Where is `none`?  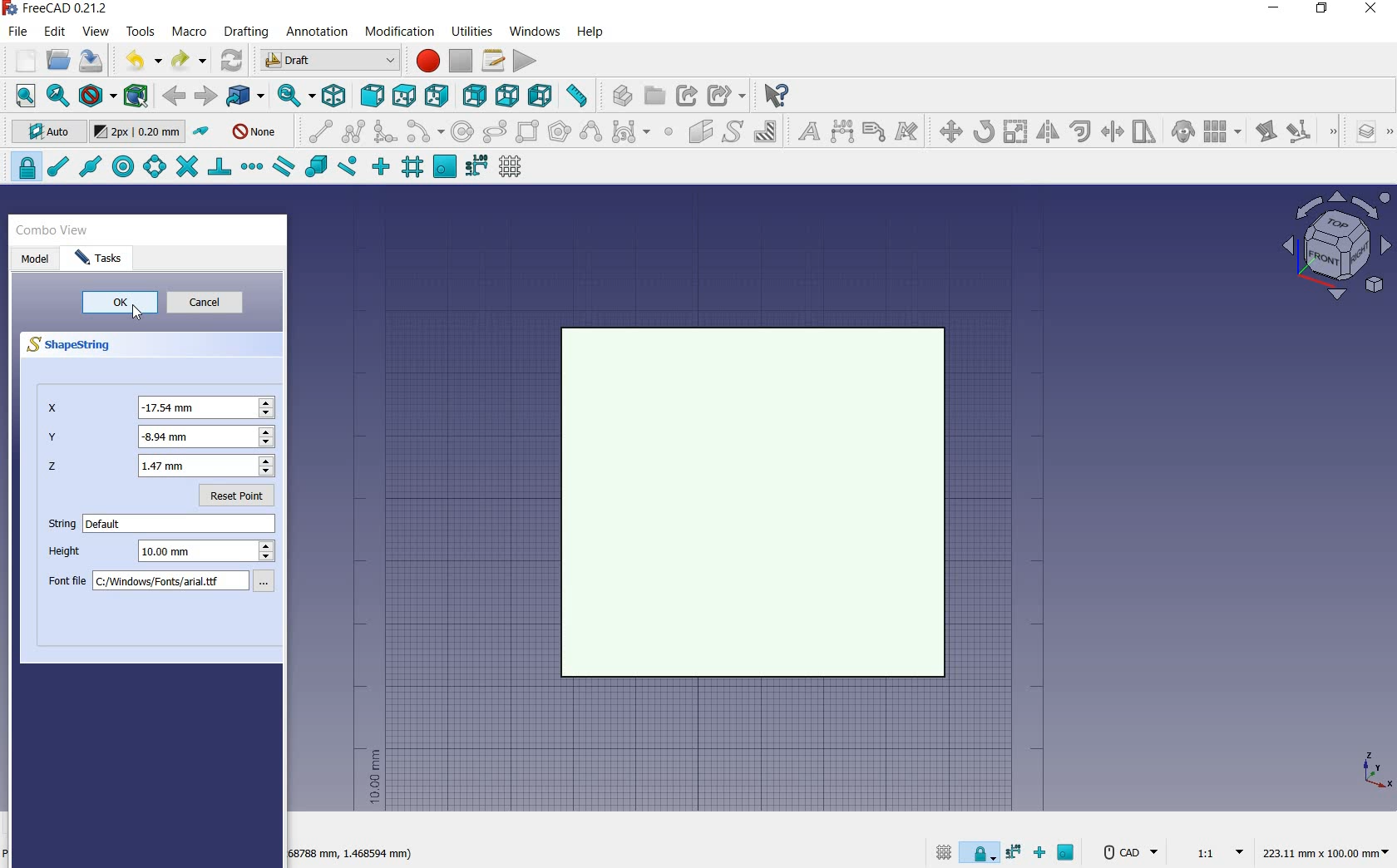 none is located at coordinates (256, 131).